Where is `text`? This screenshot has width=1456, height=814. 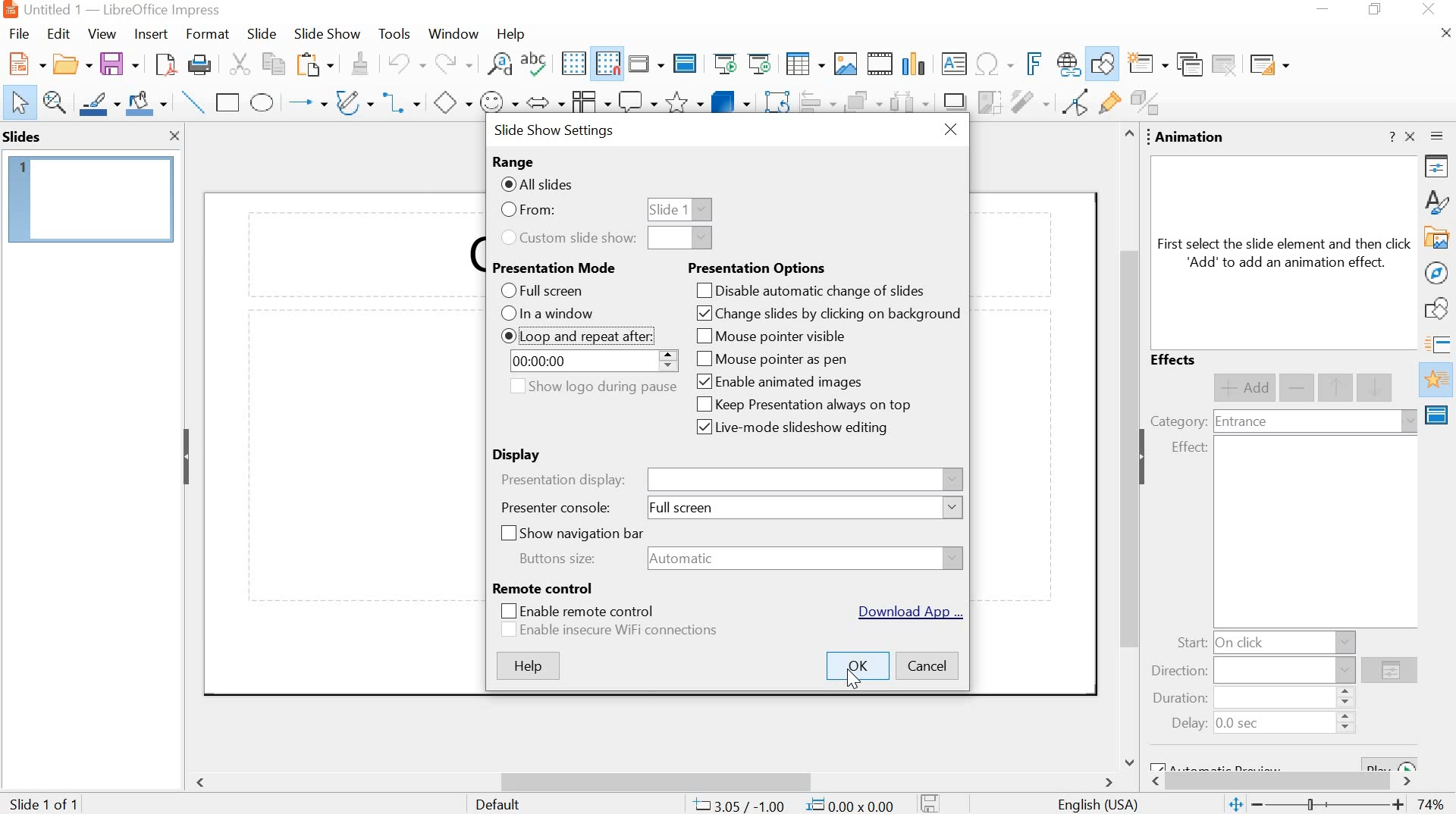
text is located at coordinates (1285, 253).